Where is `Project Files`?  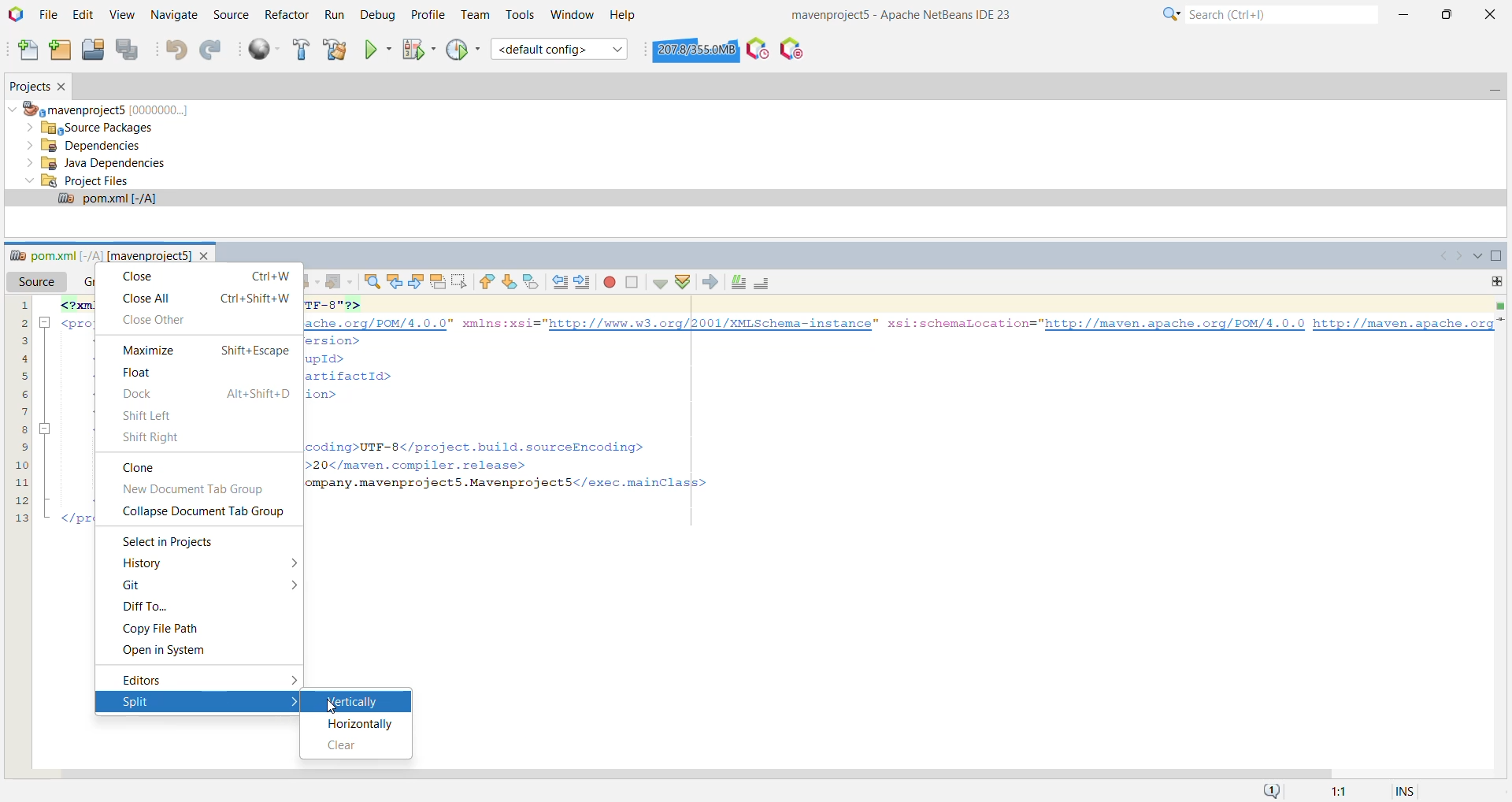 Project Files is located at coordinates (77, 180).